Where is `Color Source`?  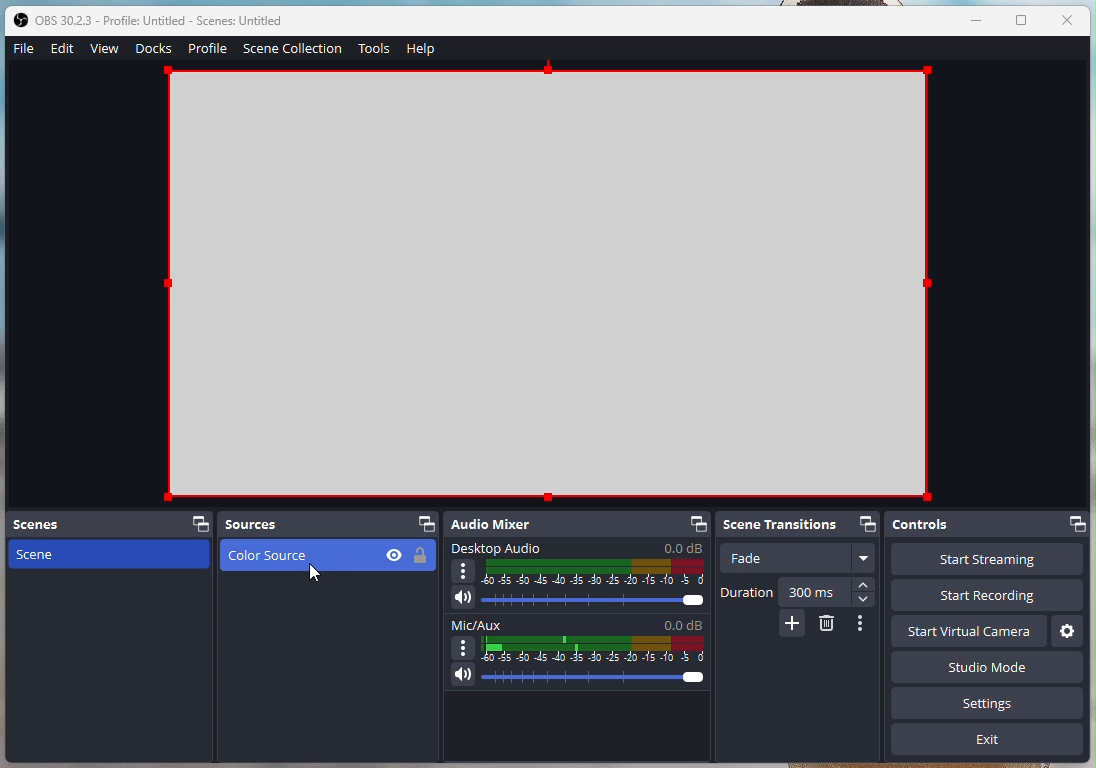 Color Source is located at coordinates (548, 283).